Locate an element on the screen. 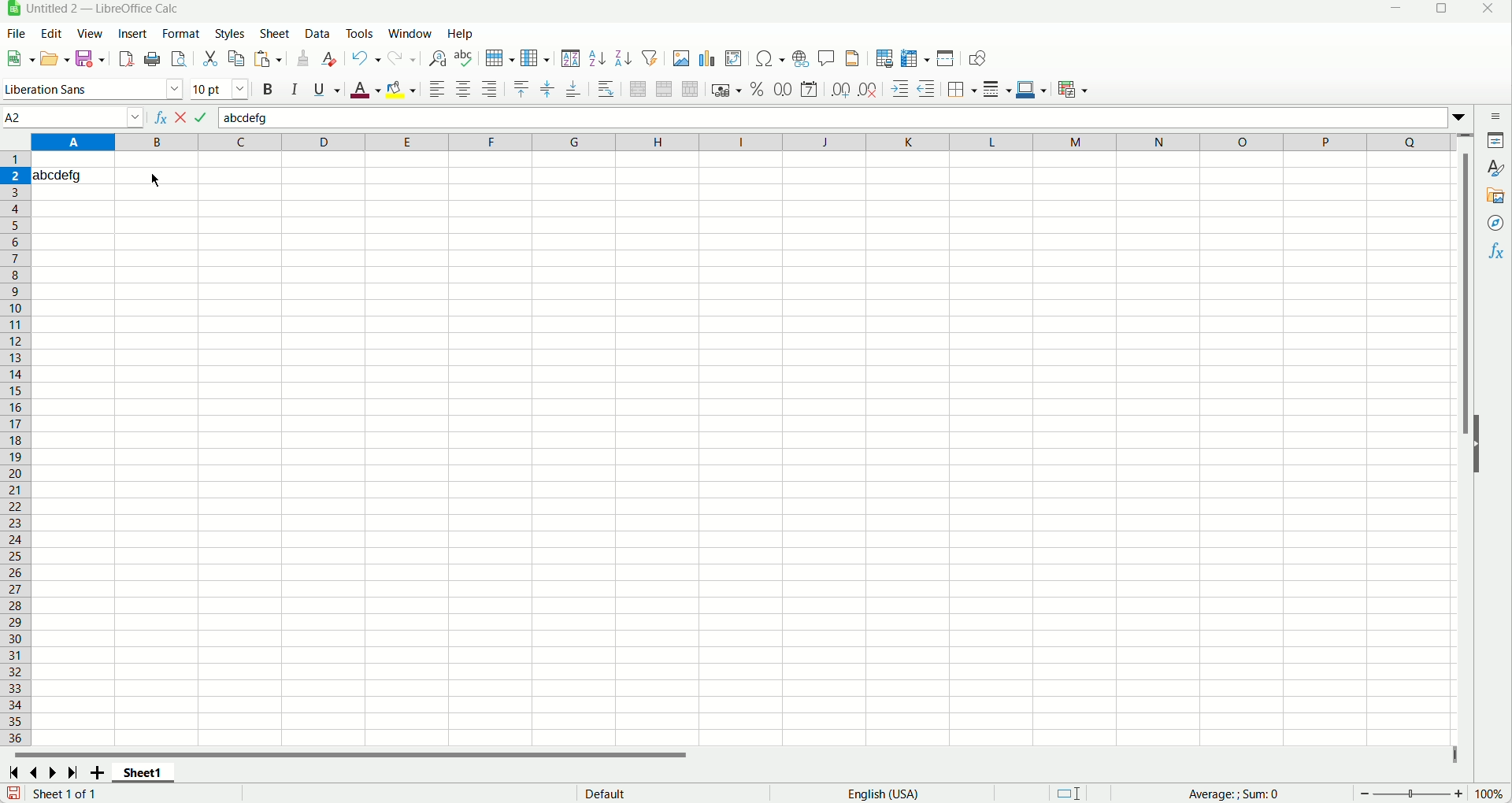 The image size is (1512, 803). close is located at coordinates (1490, 9).